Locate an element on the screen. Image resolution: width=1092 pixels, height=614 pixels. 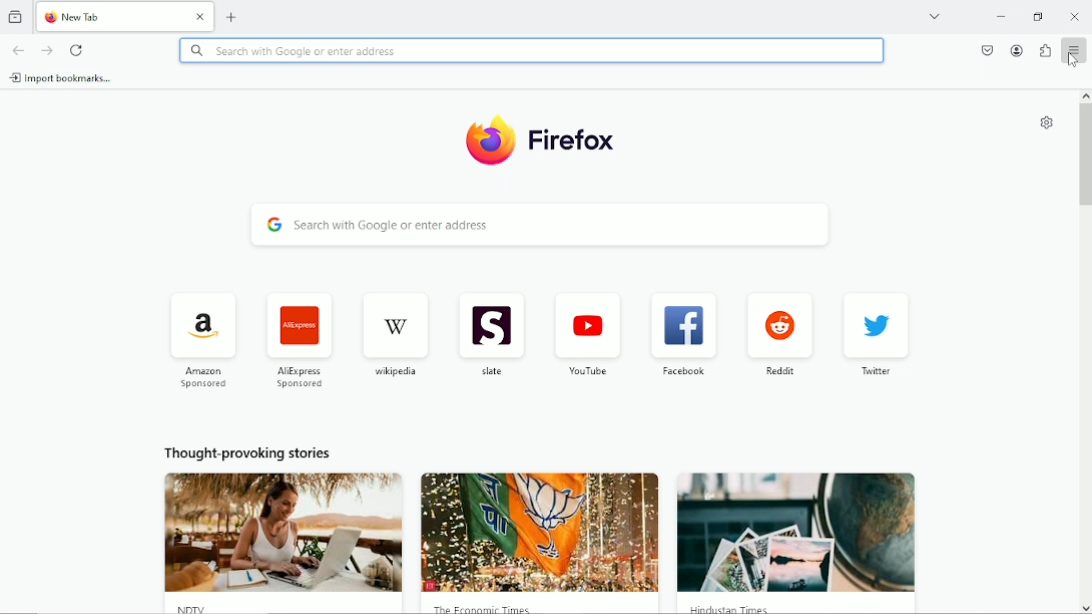
minimize  is located at coordinates (998, 15).